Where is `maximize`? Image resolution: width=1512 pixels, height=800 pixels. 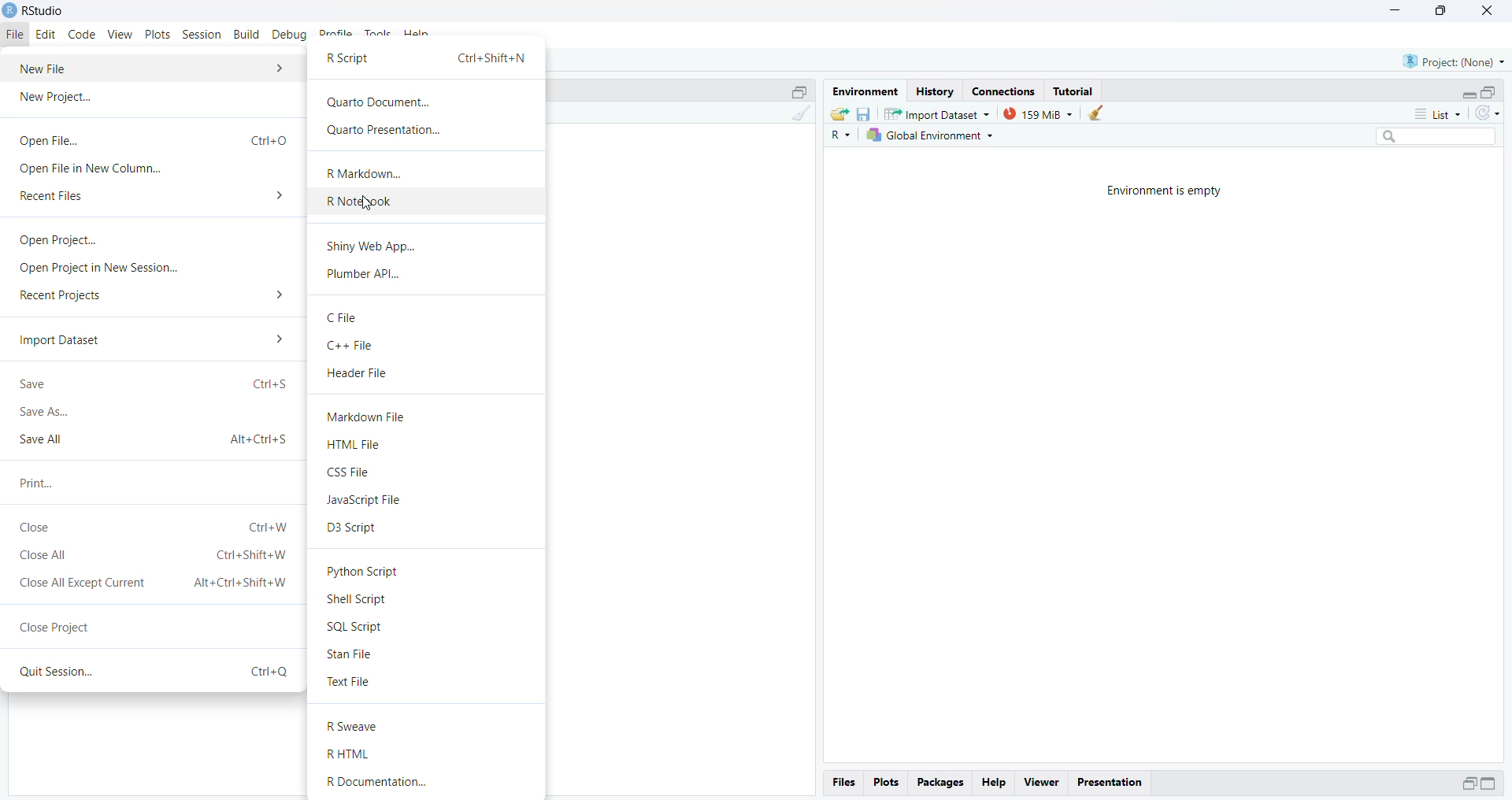
maximize is located at coordinates (1439, 12).